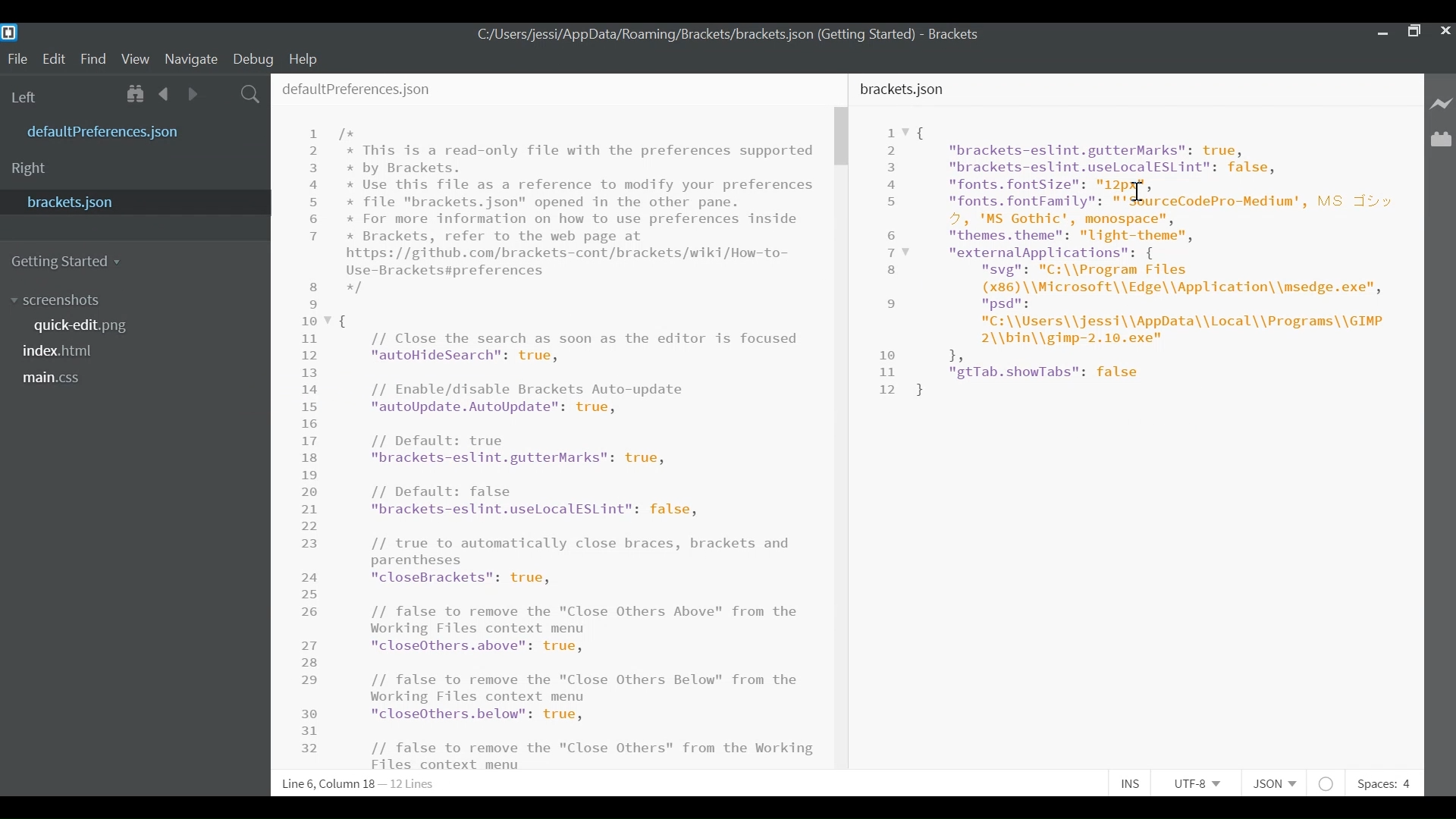 The width and height of the screenshot is (1456, 819). What do you see at coordinates (58, 379) in the screenshot?
I see `main.css` at bounding box center [58, 379].